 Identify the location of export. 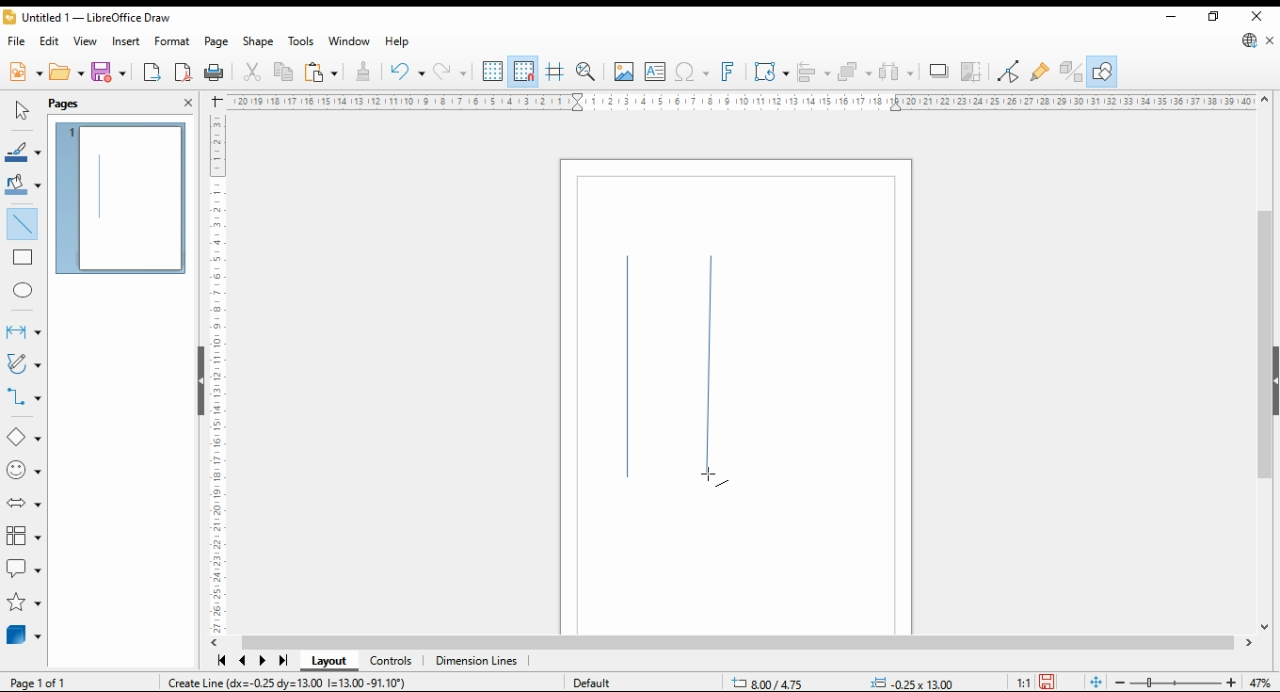
(153, 73).